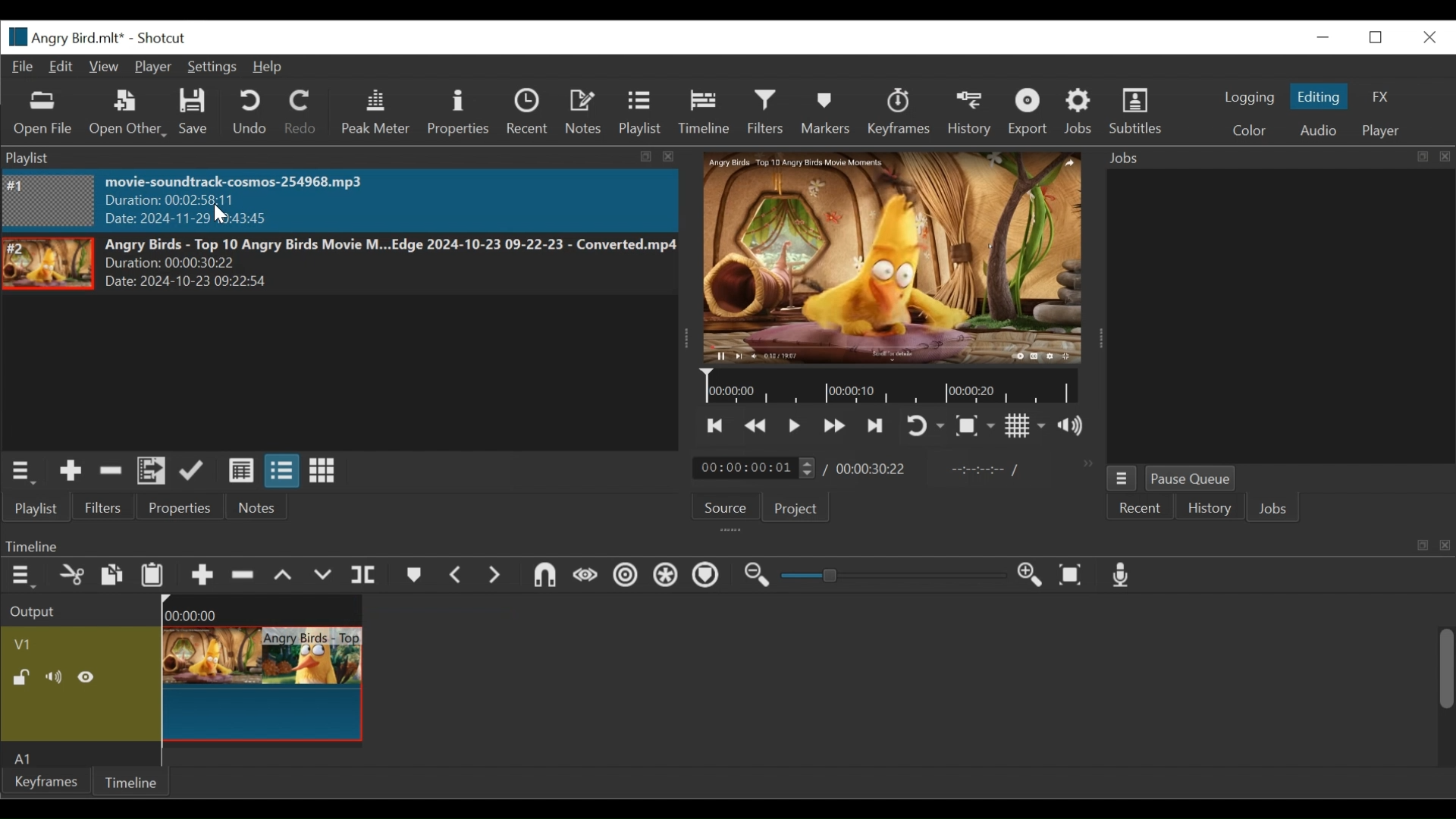  Describe the element at coordinates (281, 472) in the screenshot. I see `View as files` at that location.